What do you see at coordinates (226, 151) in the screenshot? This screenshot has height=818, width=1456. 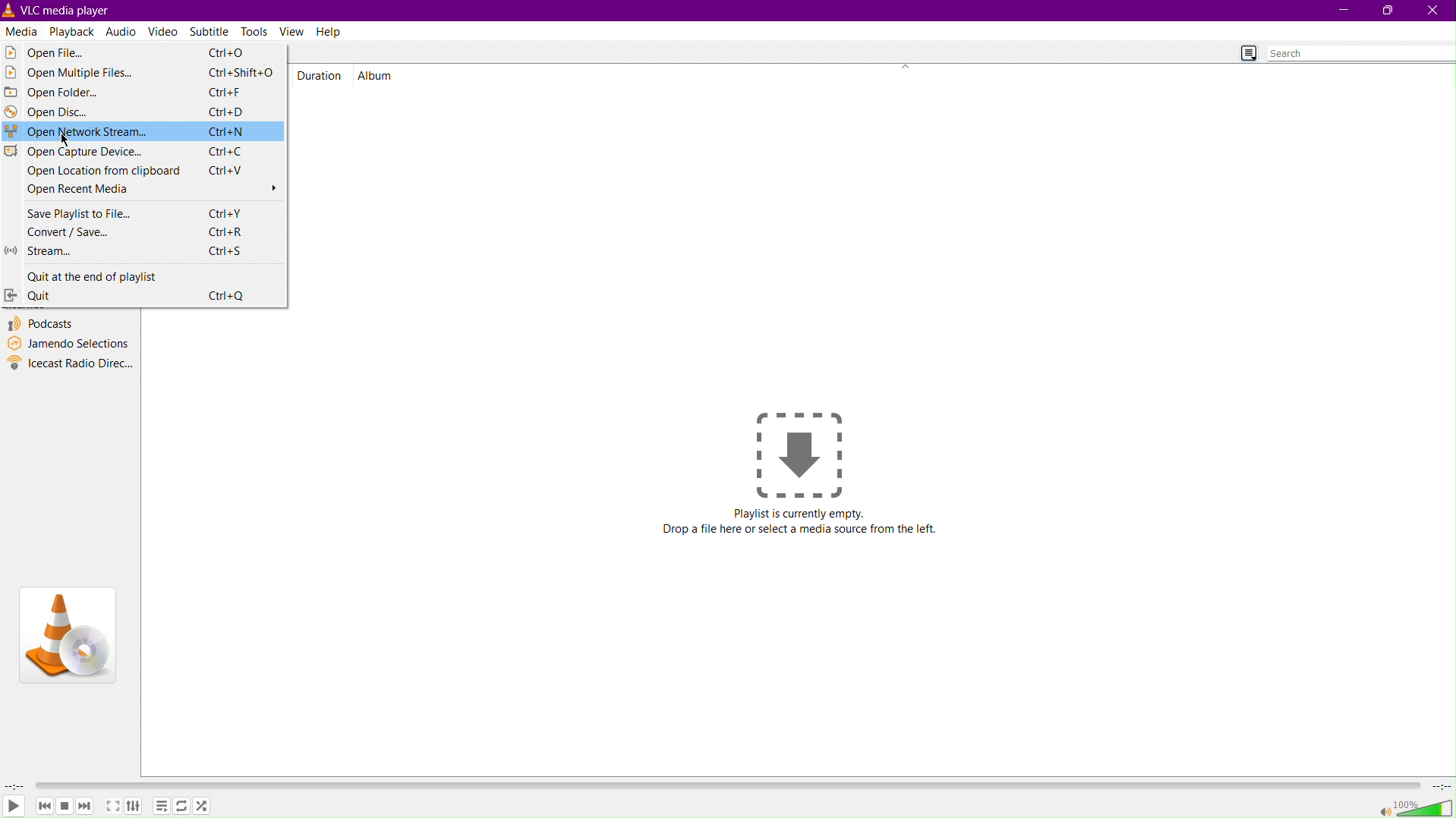 I see `Ctrl+C` at bounding box center [226, 151].